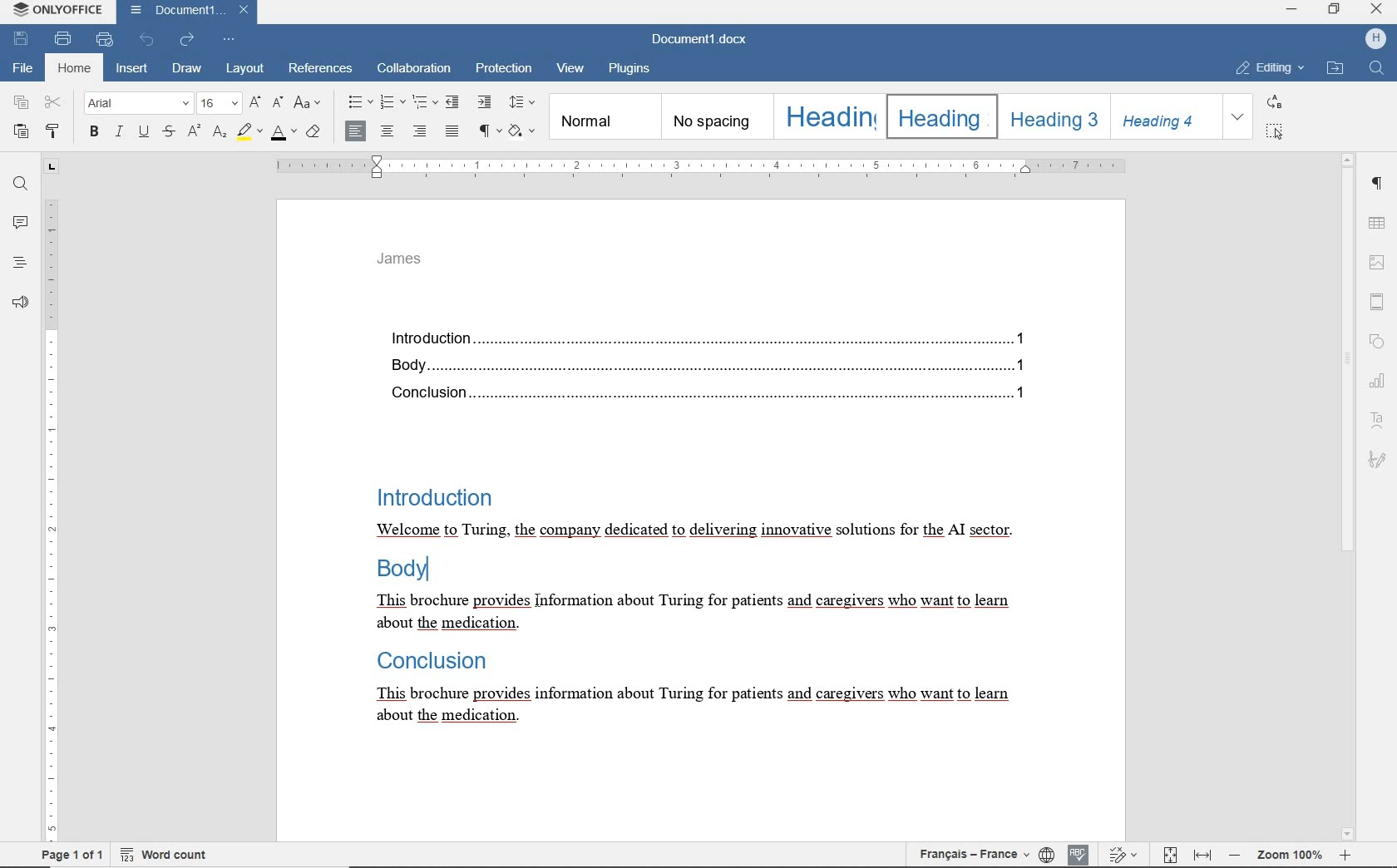  I want to click on INSERT, so click(132, 69).